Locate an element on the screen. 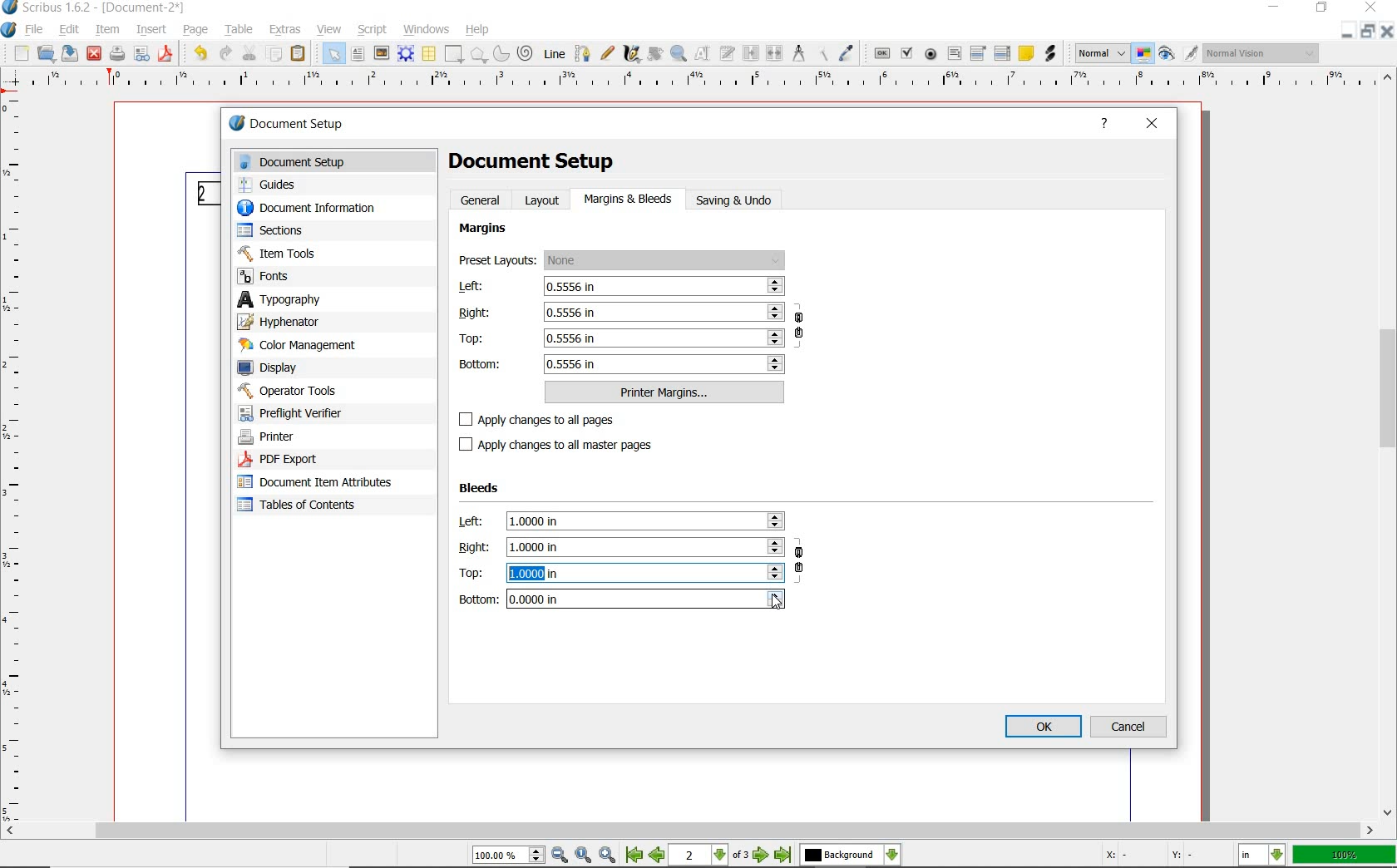 This screenshot has height=868, width=1397. margins & bleeds is located at coordinates (629, 200).